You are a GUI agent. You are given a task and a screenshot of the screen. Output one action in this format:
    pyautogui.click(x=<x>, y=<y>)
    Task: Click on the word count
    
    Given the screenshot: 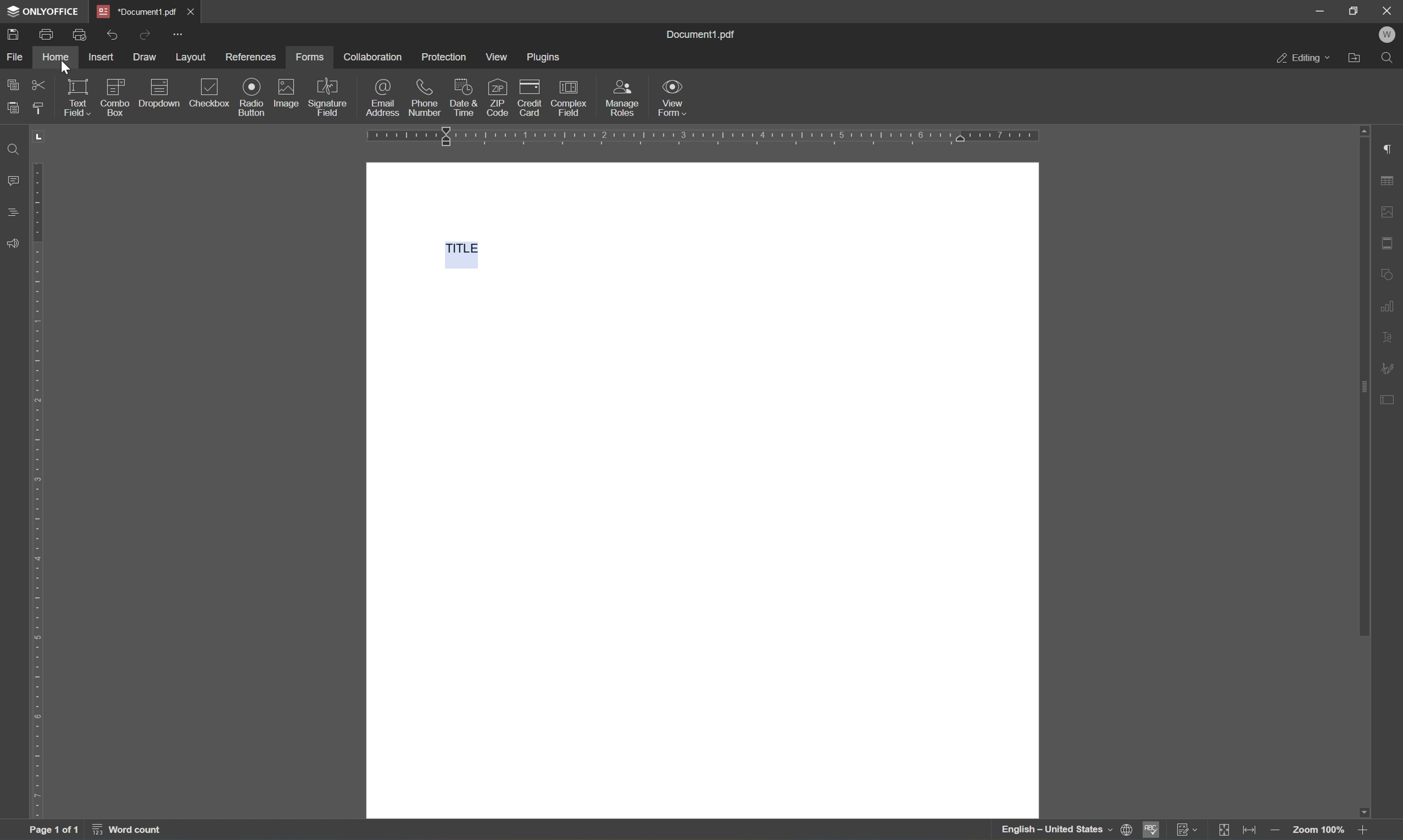 What is the action you would take?
    pyautogui.click(x=130, y=831)
    